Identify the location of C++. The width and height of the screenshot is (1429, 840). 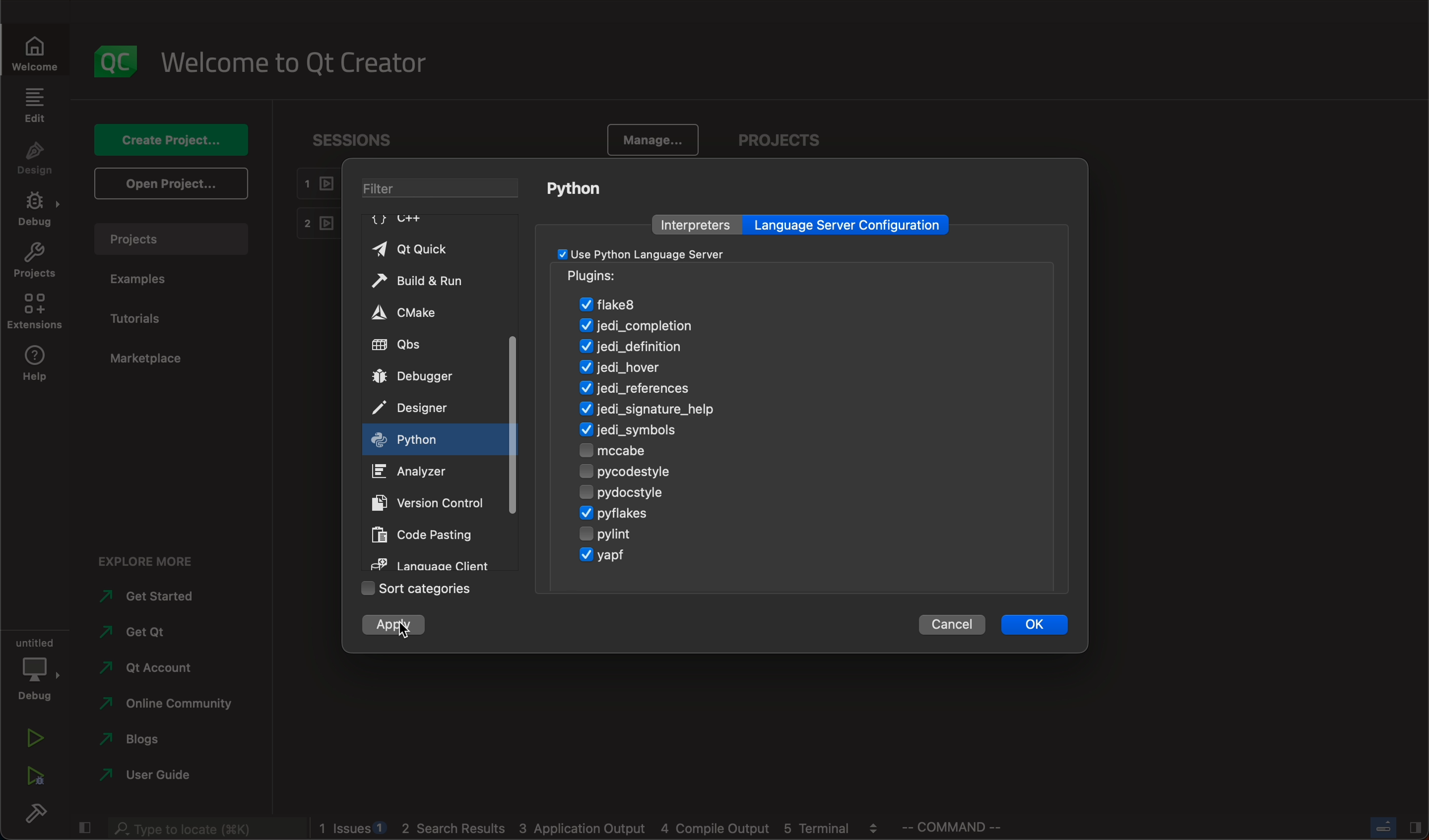
(399, 219).